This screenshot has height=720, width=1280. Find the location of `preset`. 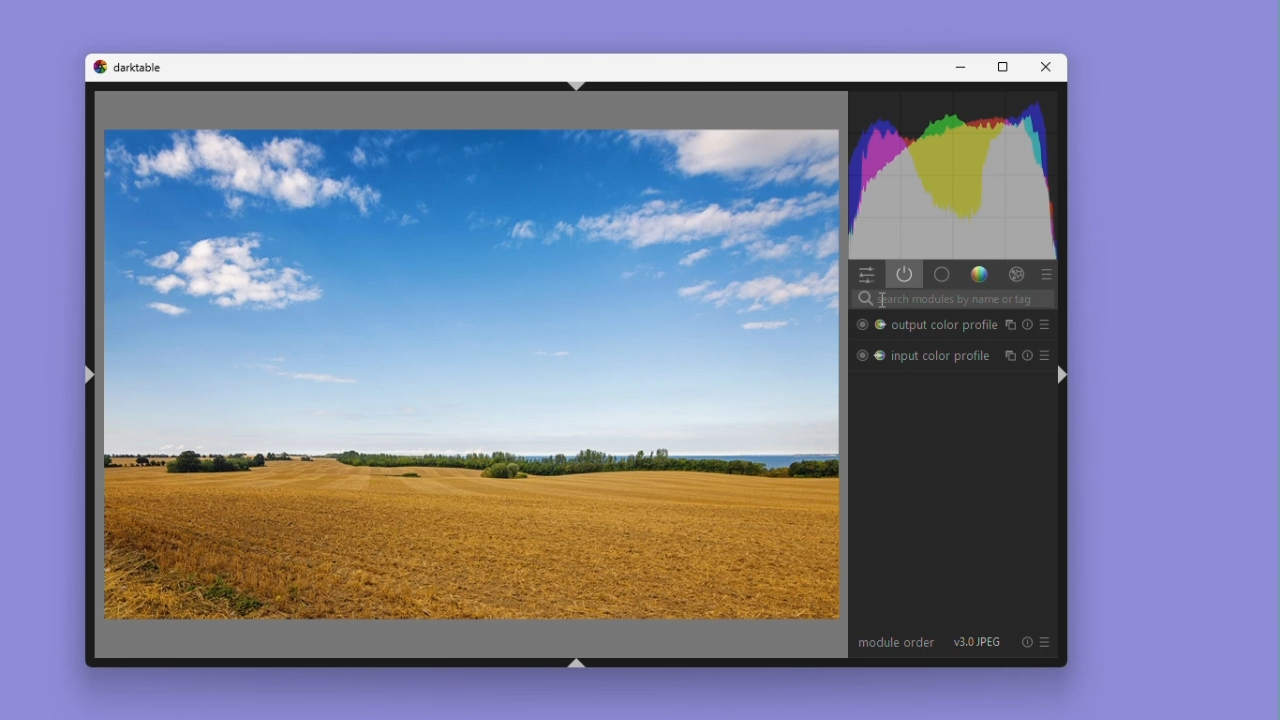

preset is located at coordinates (1046, 326).